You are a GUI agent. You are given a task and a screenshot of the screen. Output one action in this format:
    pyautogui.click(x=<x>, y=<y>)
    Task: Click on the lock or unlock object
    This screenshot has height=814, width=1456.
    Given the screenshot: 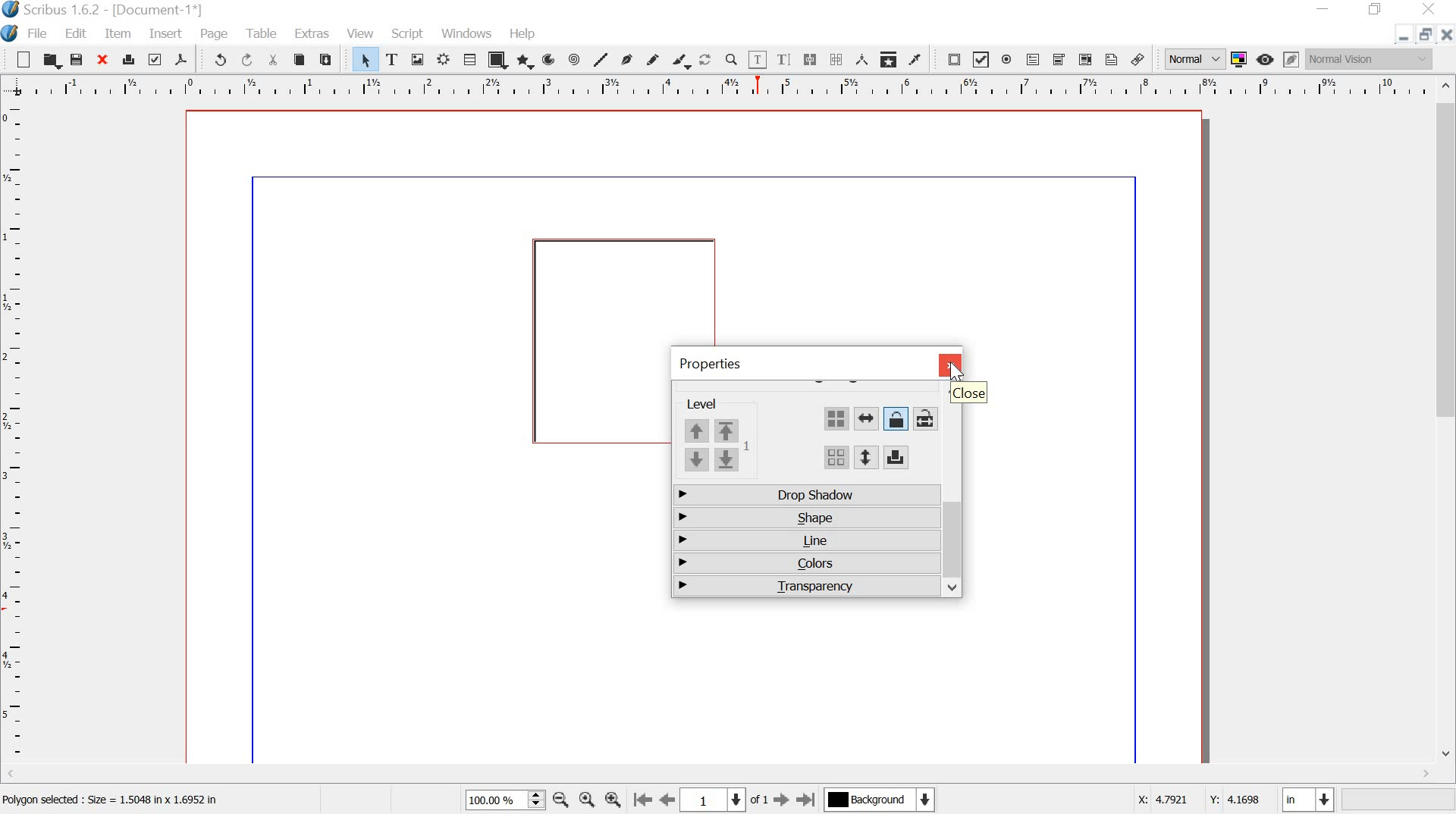 What is the action you would take?
    pyautogui.click(x=895, y=419)
    